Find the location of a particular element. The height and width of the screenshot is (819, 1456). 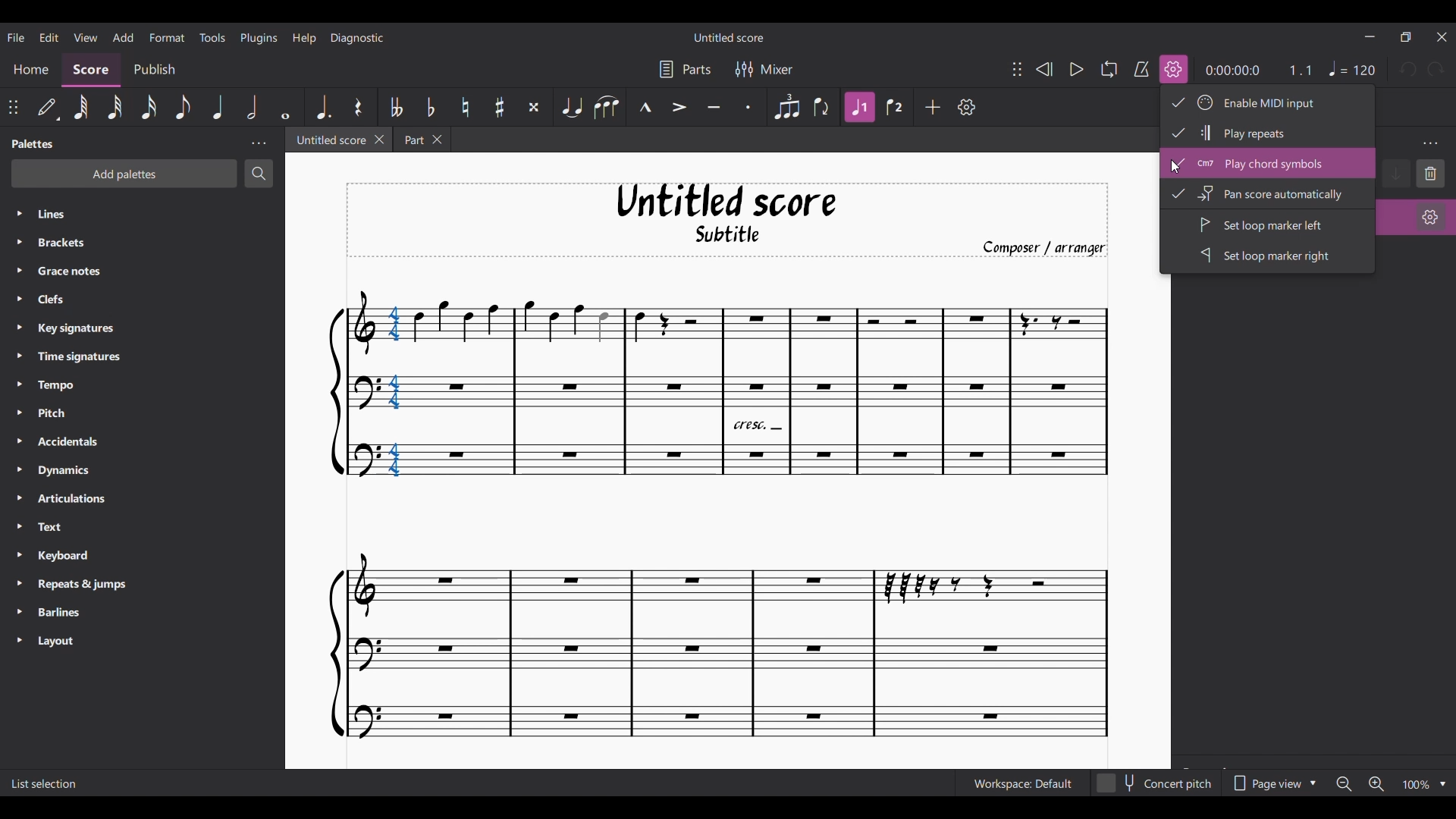

File menu is located at coordinates (15, 38).